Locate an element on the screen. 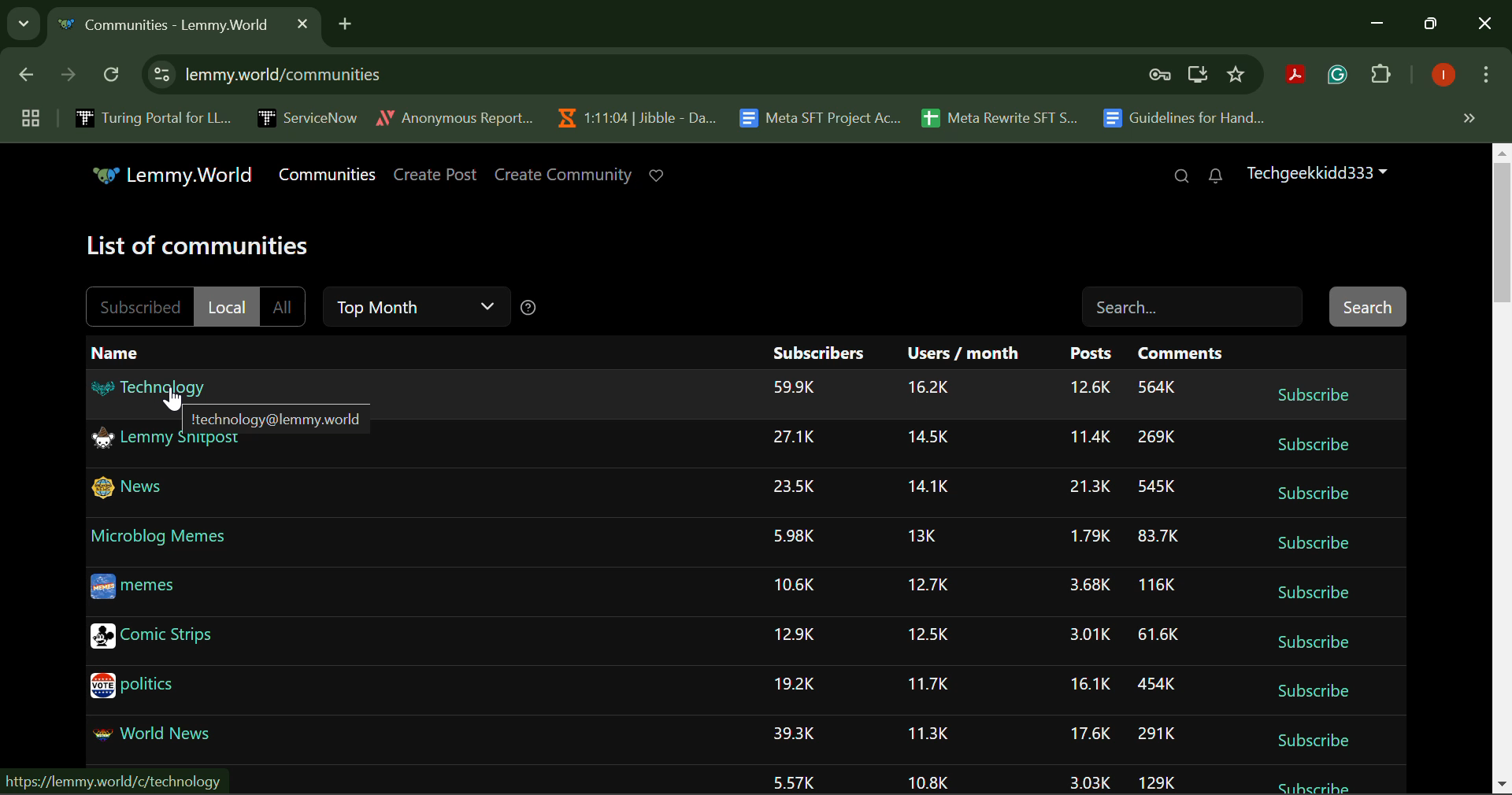 The height and width of the screenshot is (795, 1512). Hidden Bookmarks is located at coordinates (1468, 117).